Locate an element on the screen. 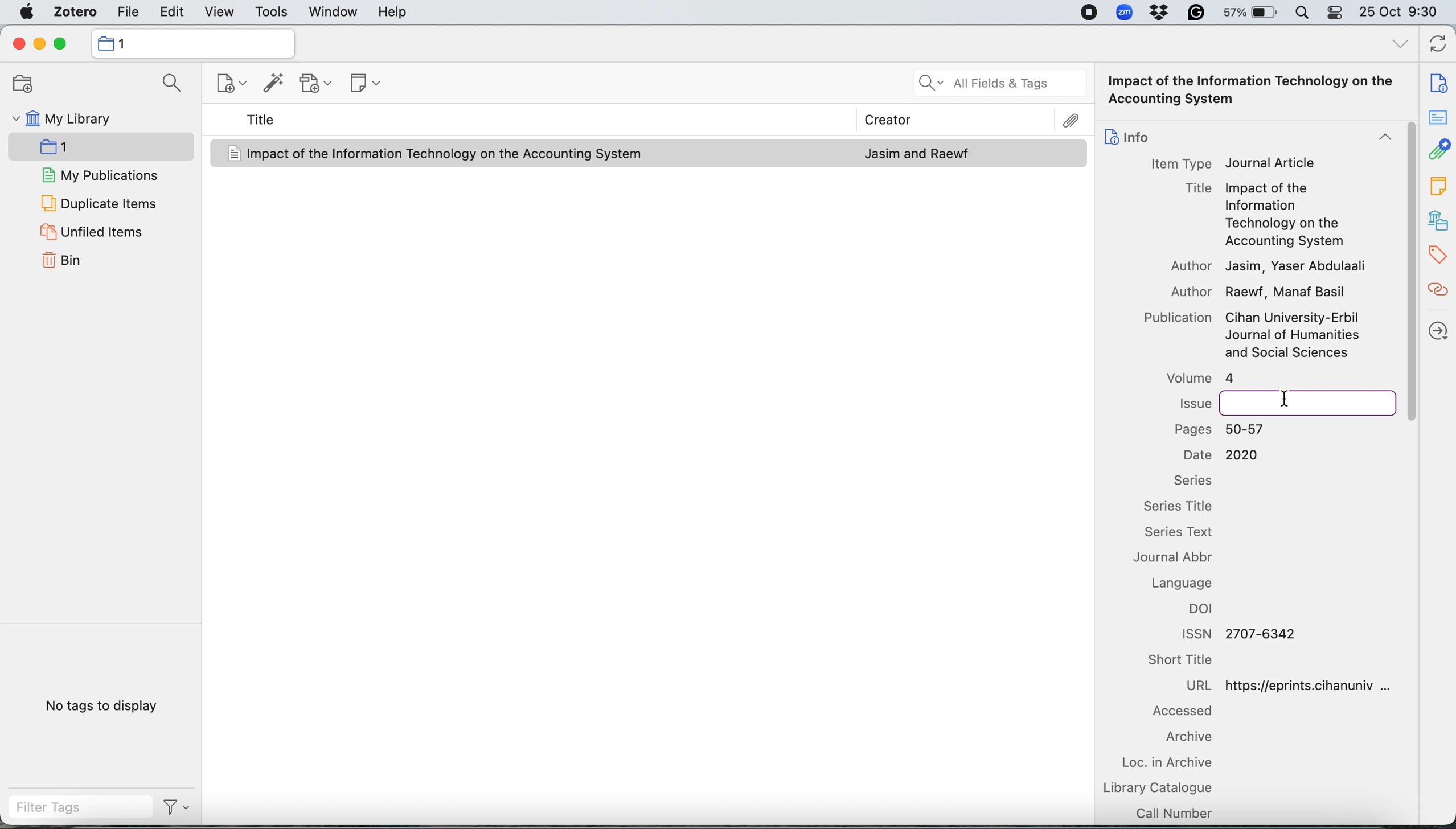 This screenshot has width=1456, height=829. Cihan University-Erbil Journal of Humanities and Social Sciences is located at coordinates (1293, 336).